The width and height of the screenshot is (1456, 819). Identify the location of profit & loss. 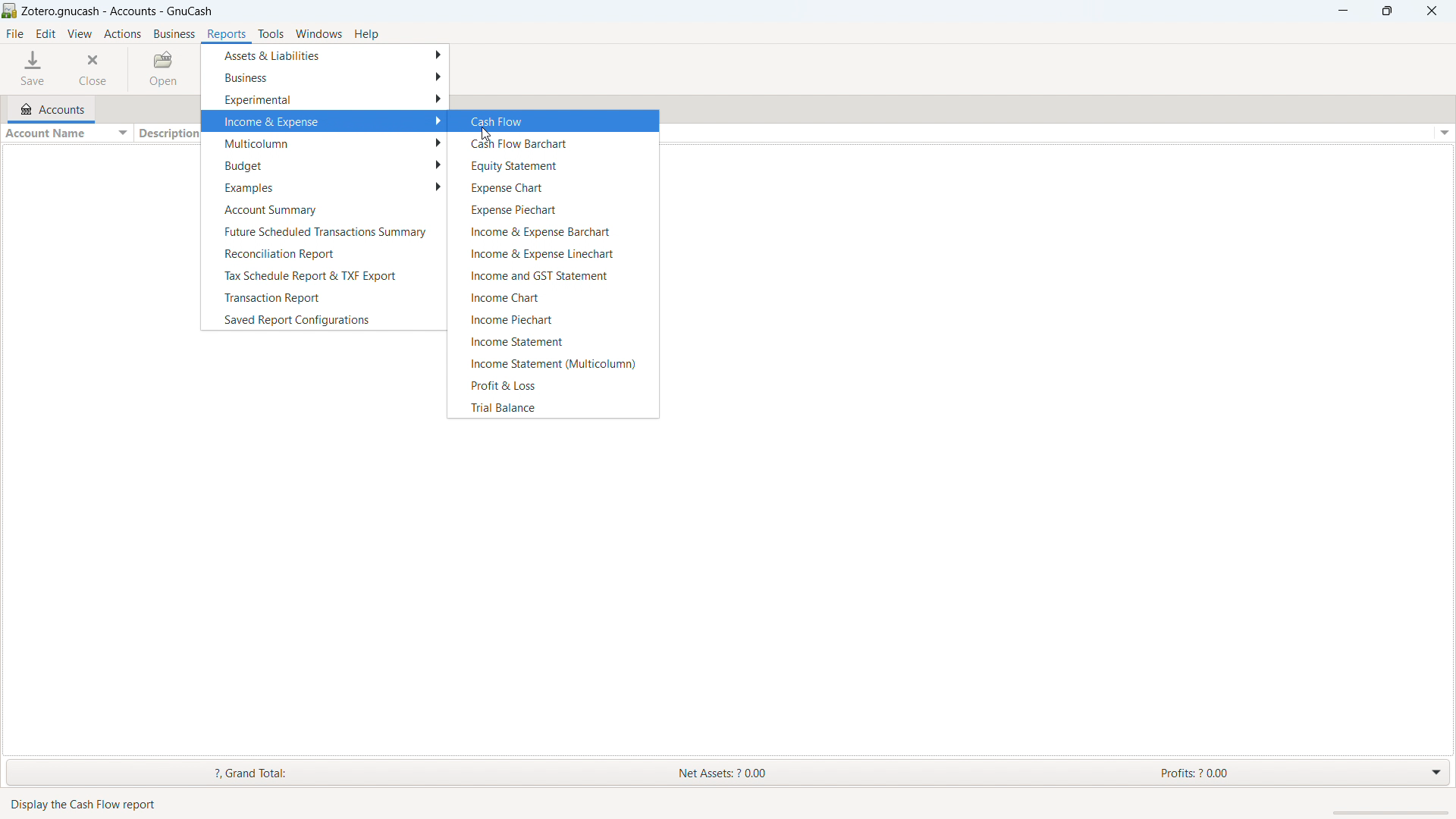
(553, 384).